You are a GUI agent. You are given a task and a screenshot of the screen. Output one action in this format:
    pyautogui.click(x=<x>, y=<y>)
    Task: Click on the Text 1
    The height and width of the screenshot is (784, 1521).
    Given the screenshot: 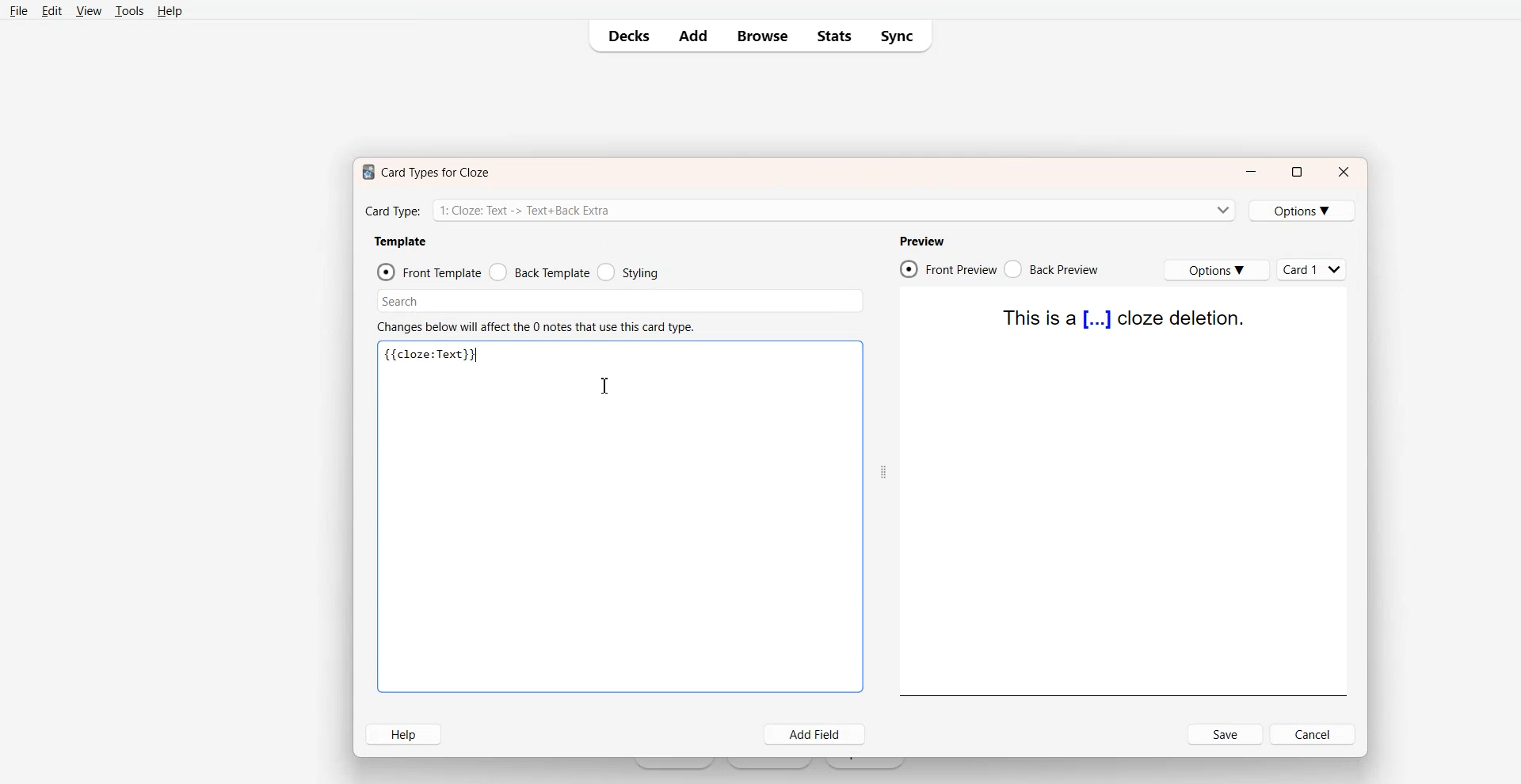 What is the action you would take?
    pyautogui.click(x=422, y=172)
    